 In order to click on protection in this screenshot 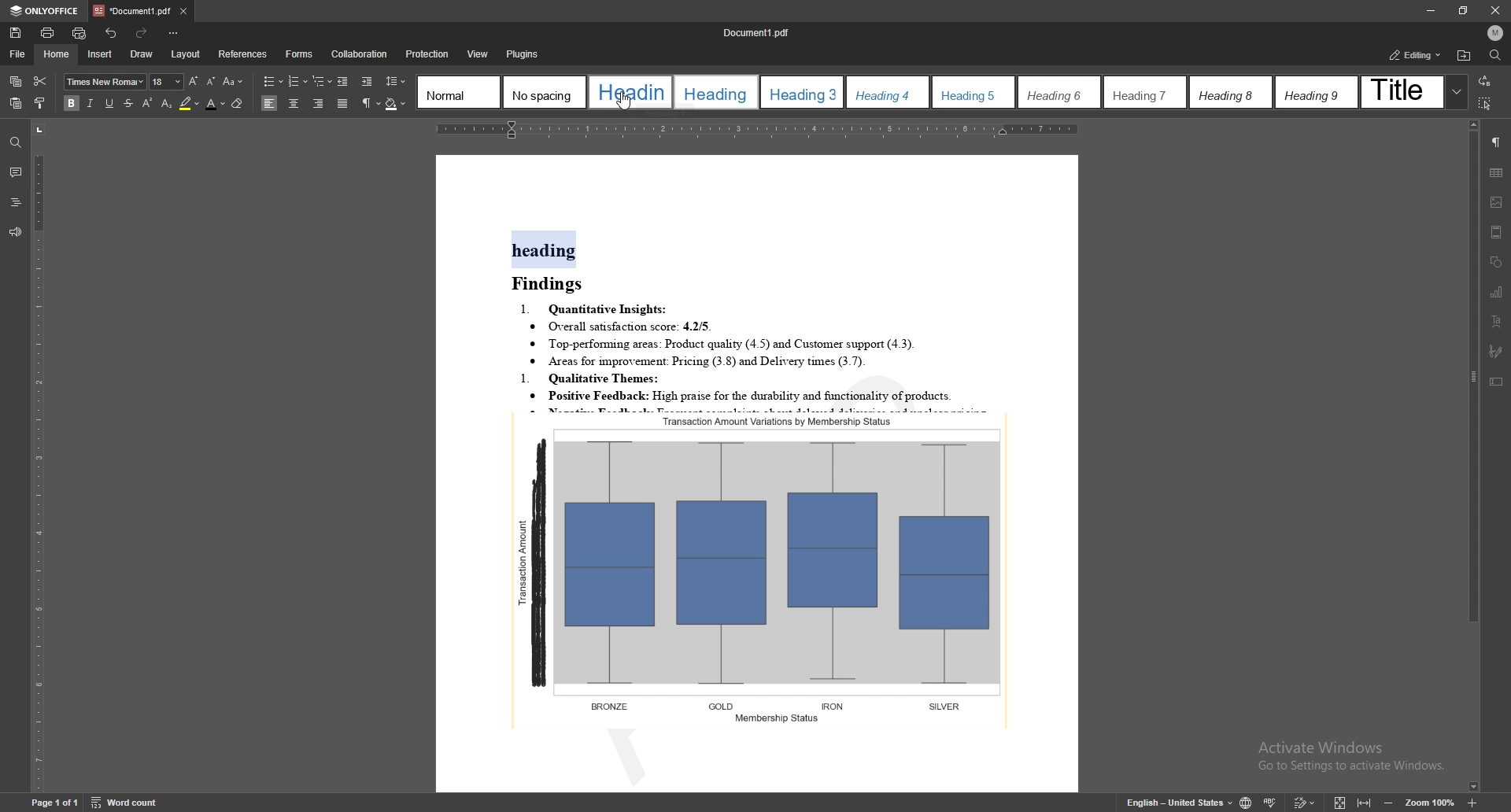, I will do `click(428, 54)`.